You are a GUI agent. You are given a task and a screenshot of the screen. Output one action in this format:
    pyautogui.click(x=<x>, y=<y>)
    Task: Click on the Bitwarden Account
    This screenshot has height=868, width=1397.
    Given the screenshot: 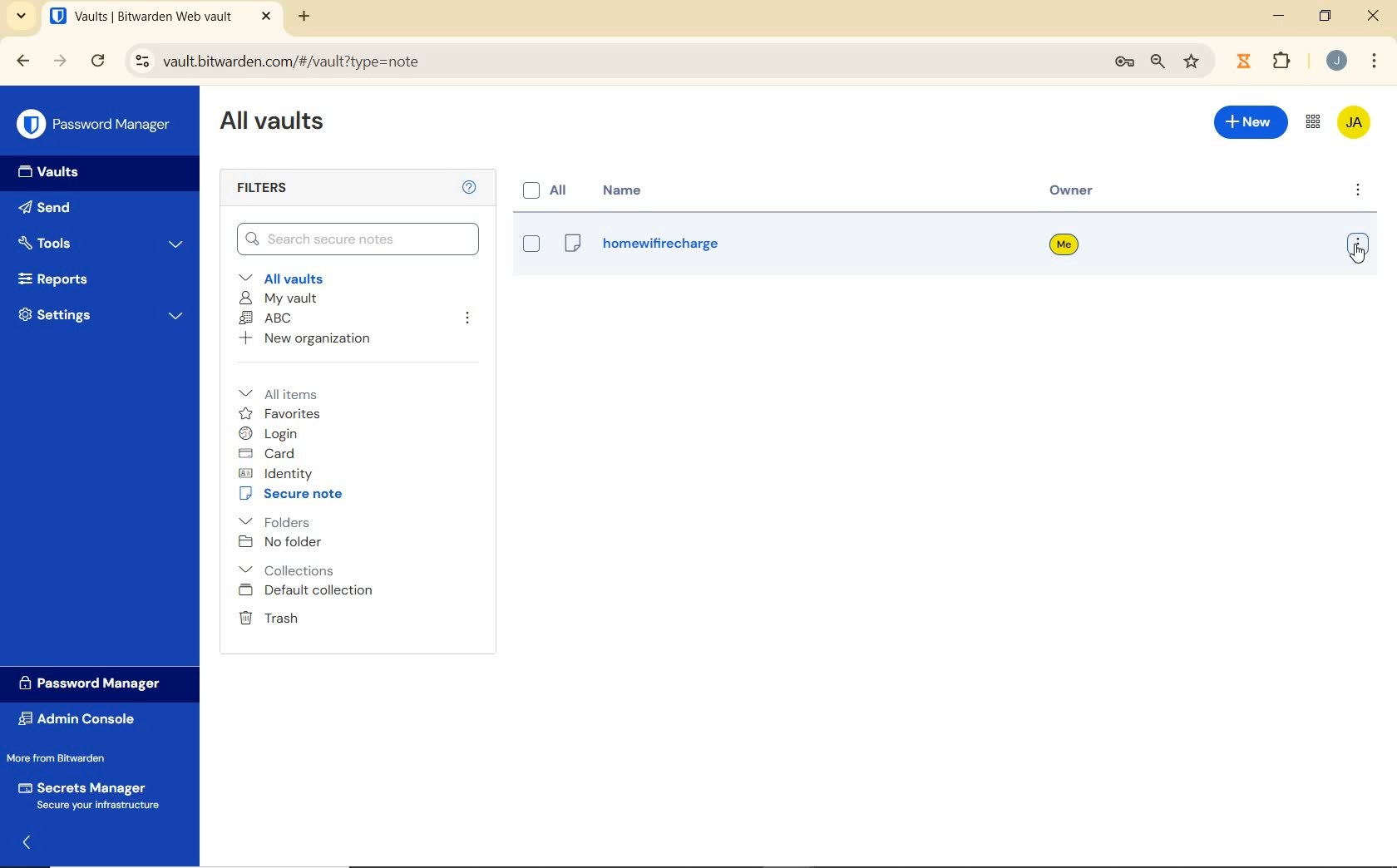 What is the action you would take?
    pyautogui.click(x=1355, y=124)
    